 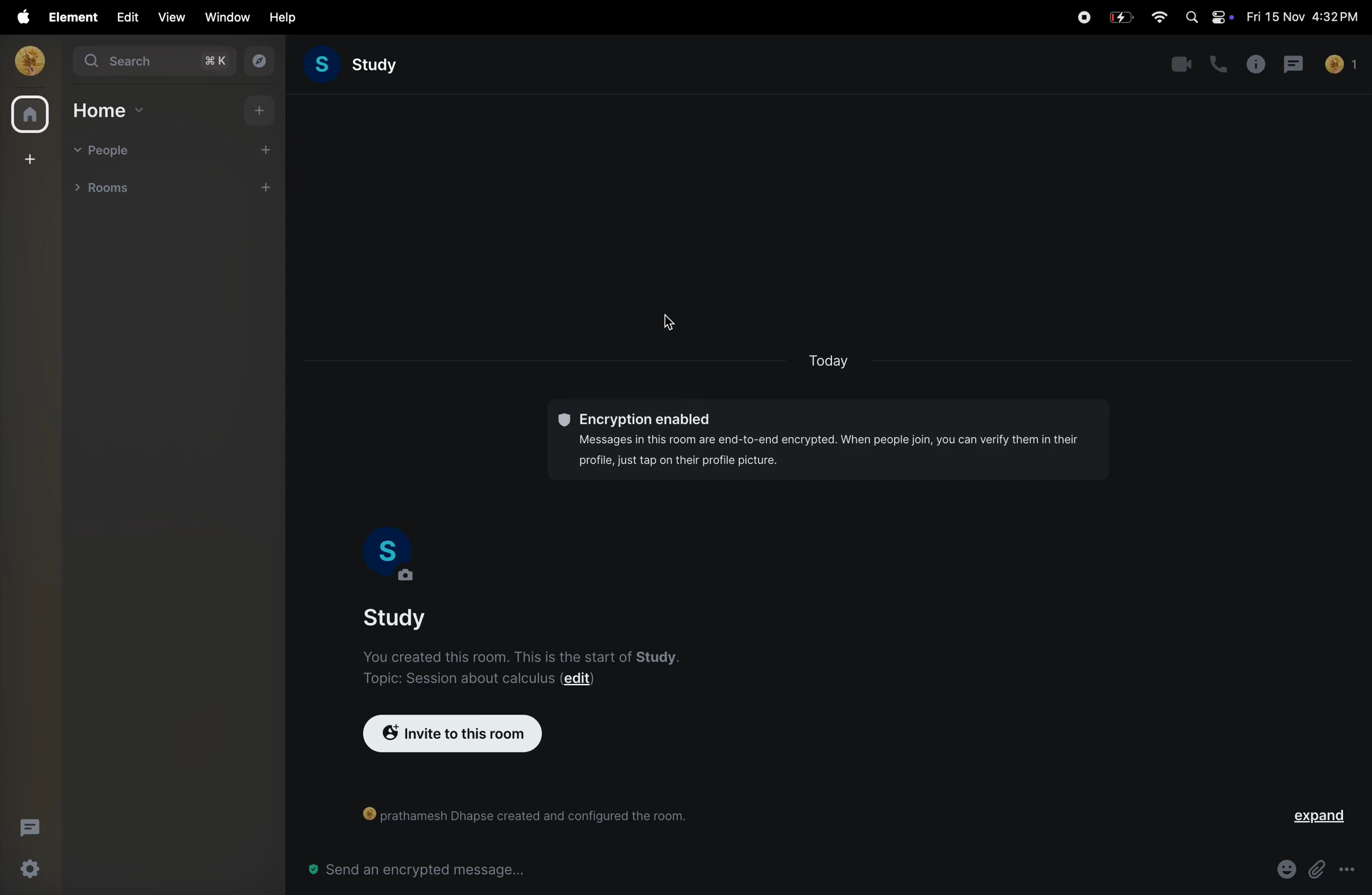 I want to click on add rooms, so click(x=270, y=189).